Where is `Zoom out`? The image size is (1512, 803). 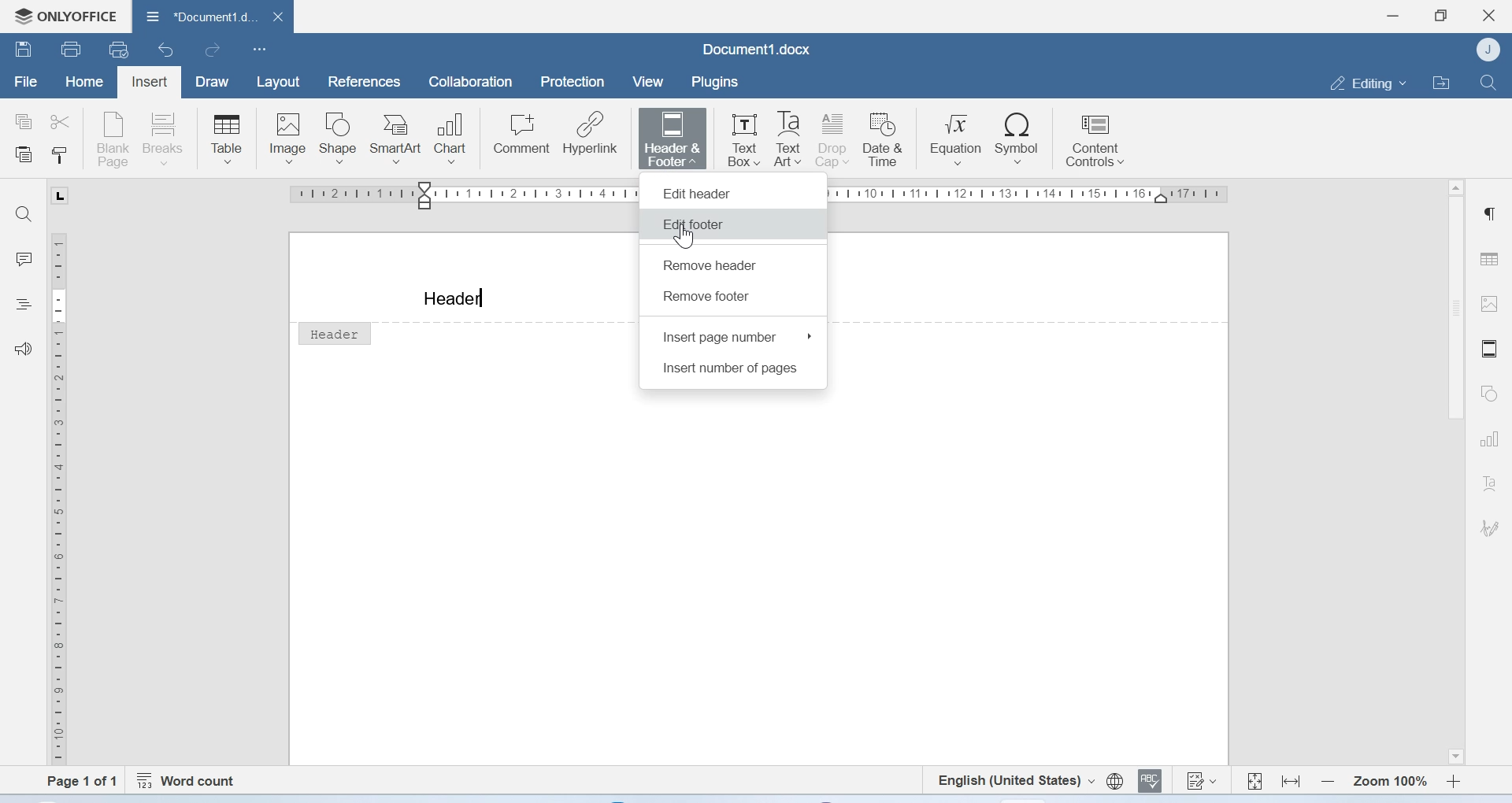
Zoom out is located at coordinates (1327, 780).